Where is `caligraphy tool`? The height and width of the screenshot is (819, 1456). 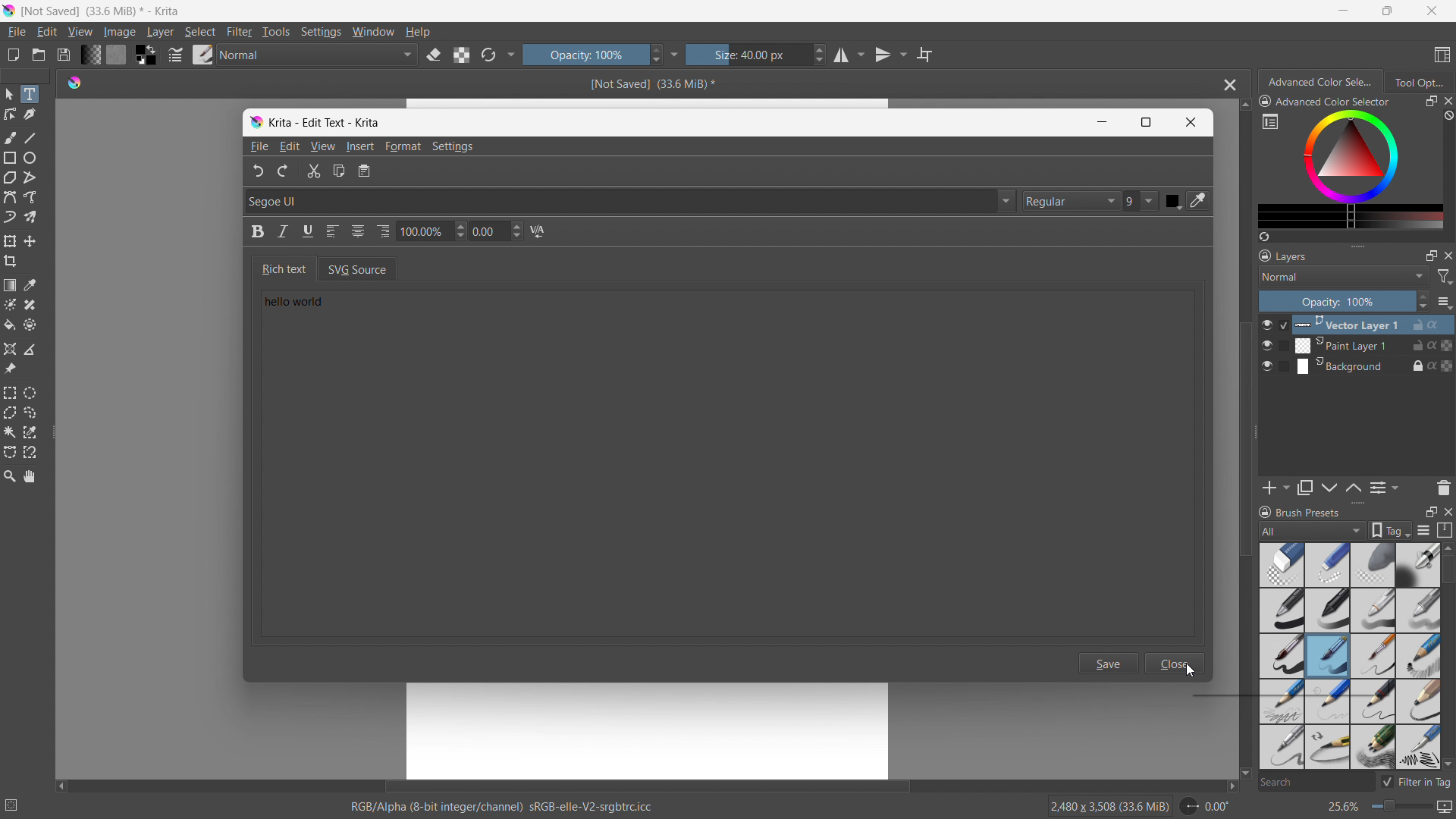 caligraphy tool is located at coordinates (30, 115).